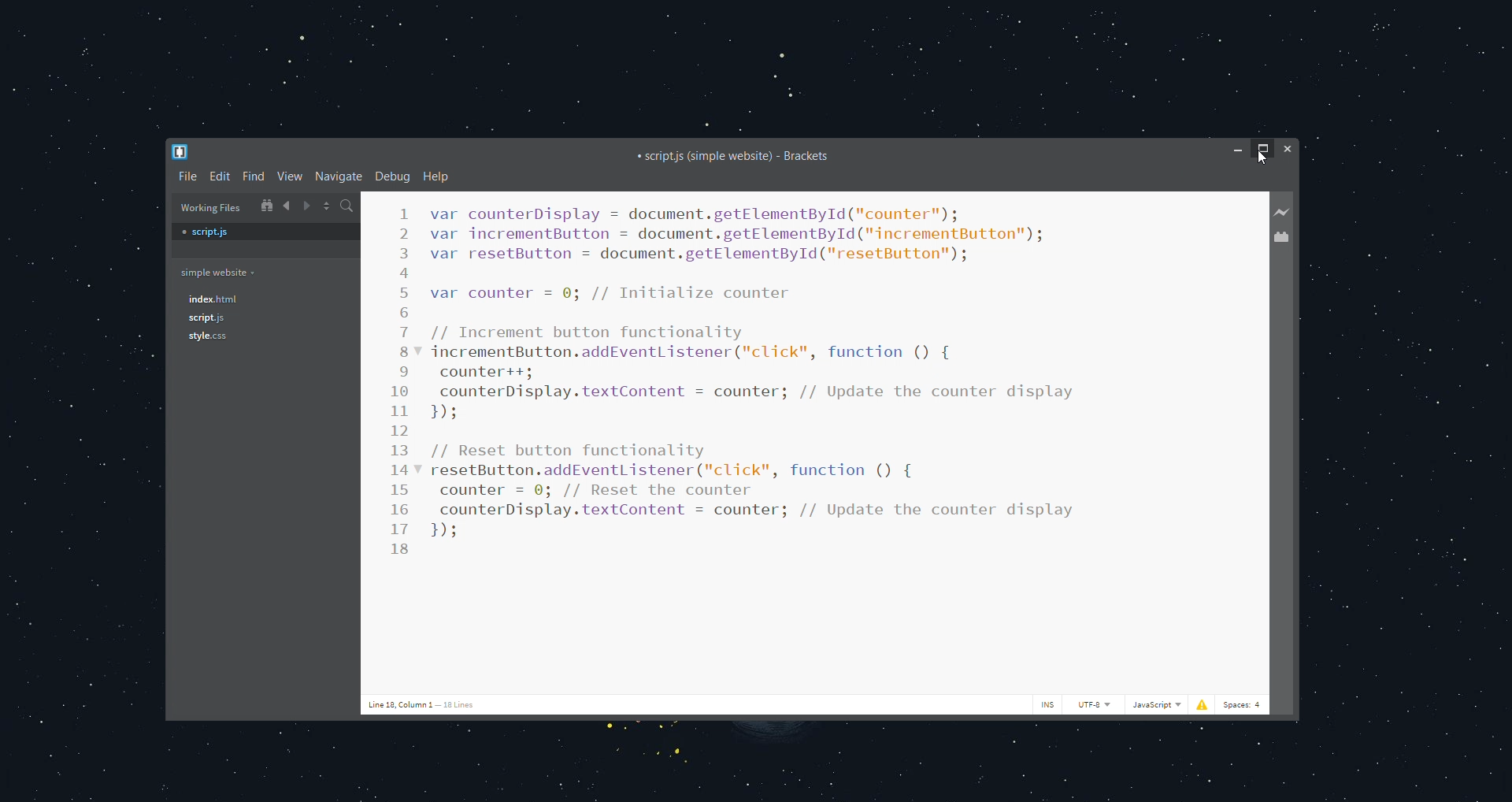  What do you see at coordinates (759, 372) in the screenshot?
I see `Increment and Reset button functionality Code` at bounding box center [759, 372].